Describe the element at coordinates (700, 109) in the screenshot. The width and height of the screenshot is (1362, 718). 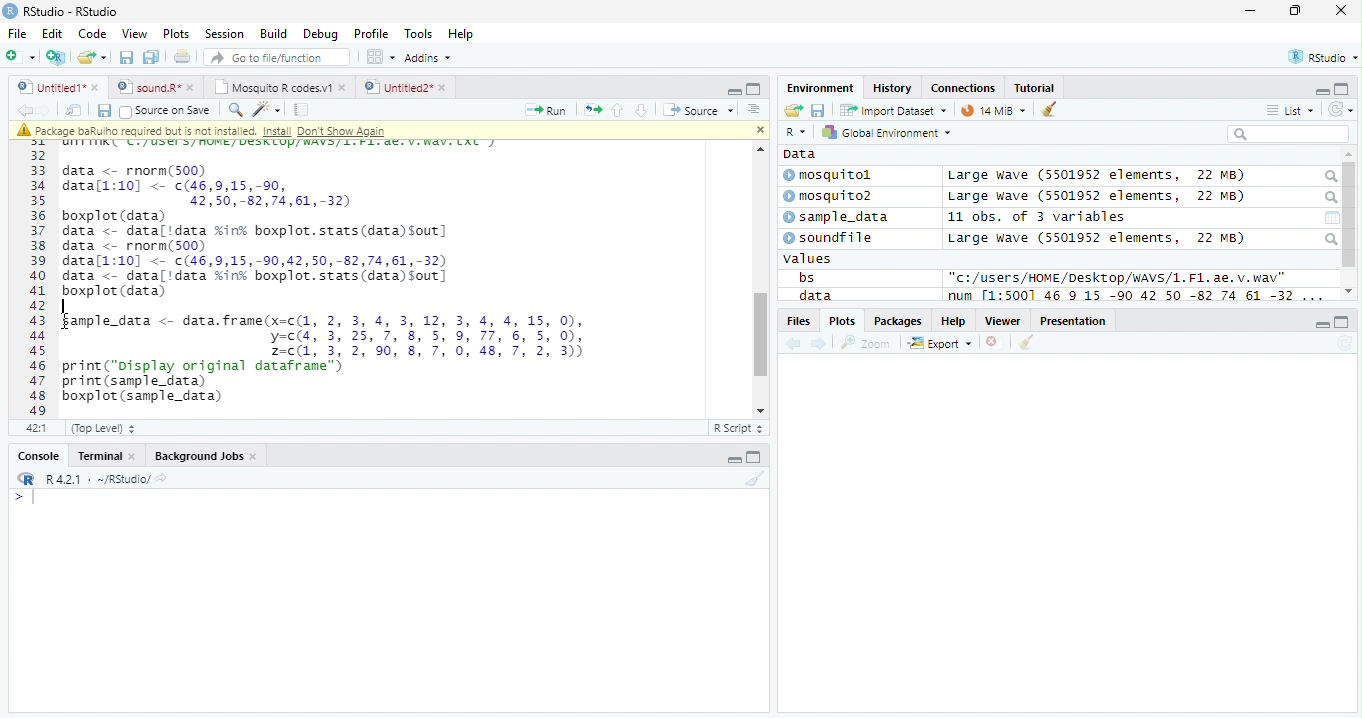
I see `Source` at that location.